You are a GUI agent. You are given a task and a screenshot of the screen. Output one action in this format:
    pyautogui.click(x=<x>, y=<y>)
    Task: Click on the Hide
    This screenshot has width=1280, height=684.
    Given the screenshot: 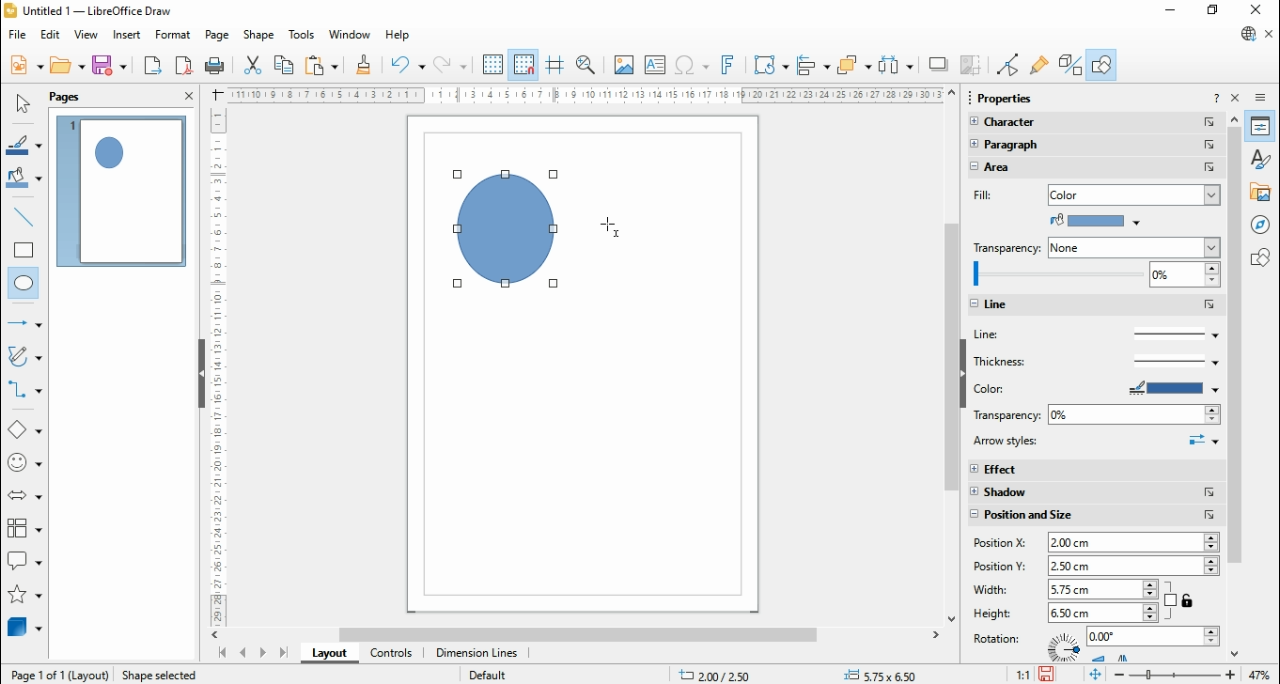 What is the action you would take?
    pyautogui.click(x=201, y=375)
    